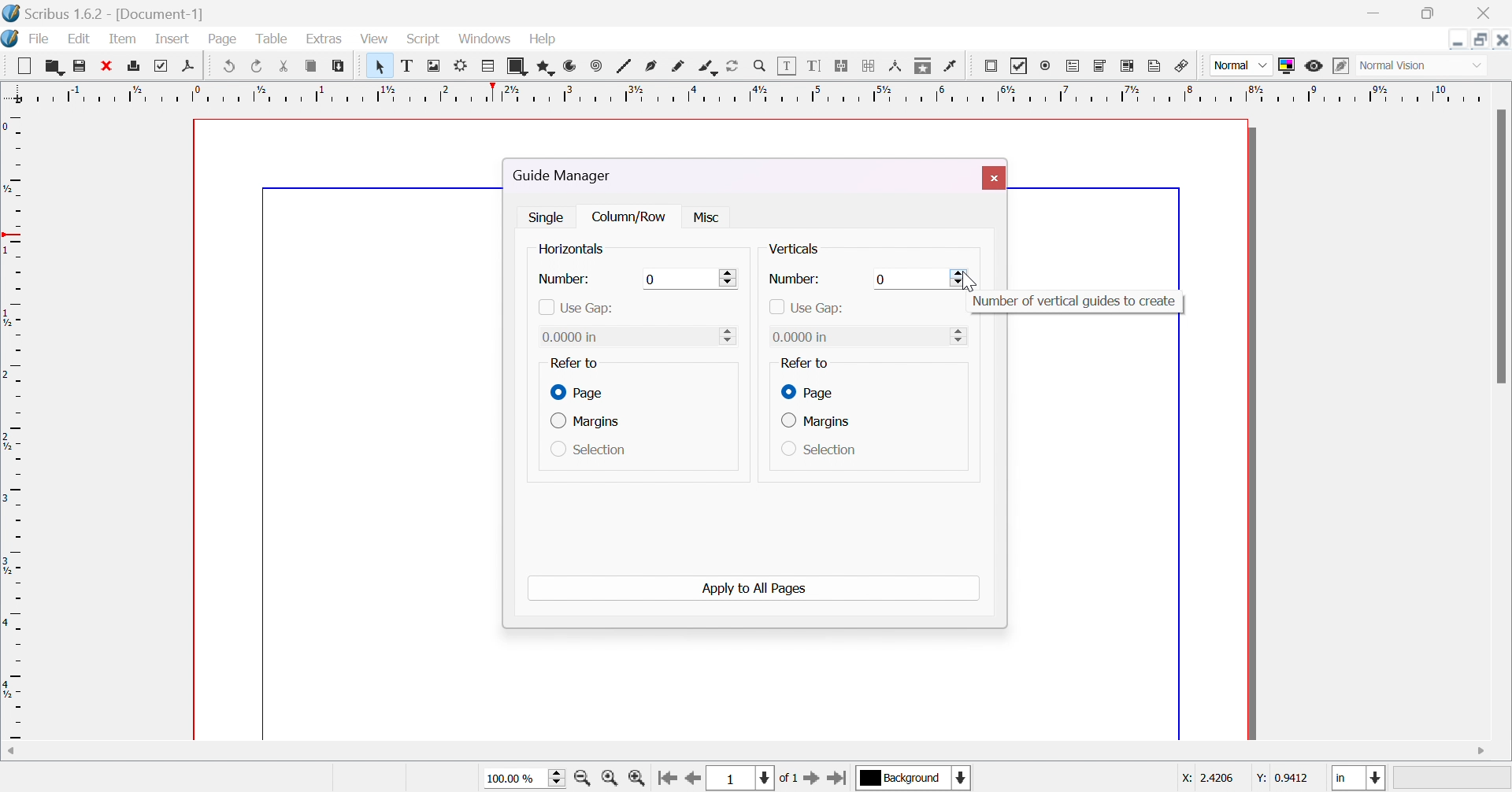 The width and height of the screenshot is (1512, 792). I want to click on open, so click(53, 65).